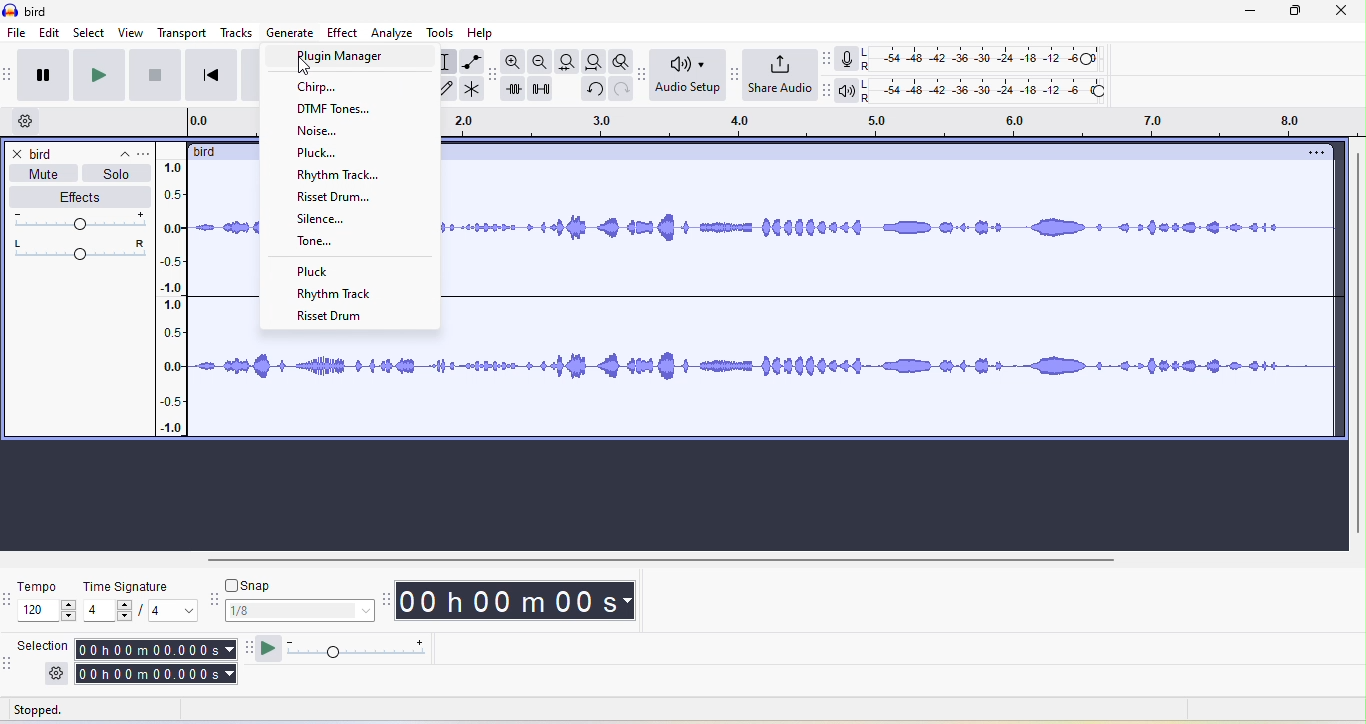 The image size is (1366, 724). What do you see at coordinates (799, 382) in the screenshot?
I see `waveform` at bounding box center [799, 382].